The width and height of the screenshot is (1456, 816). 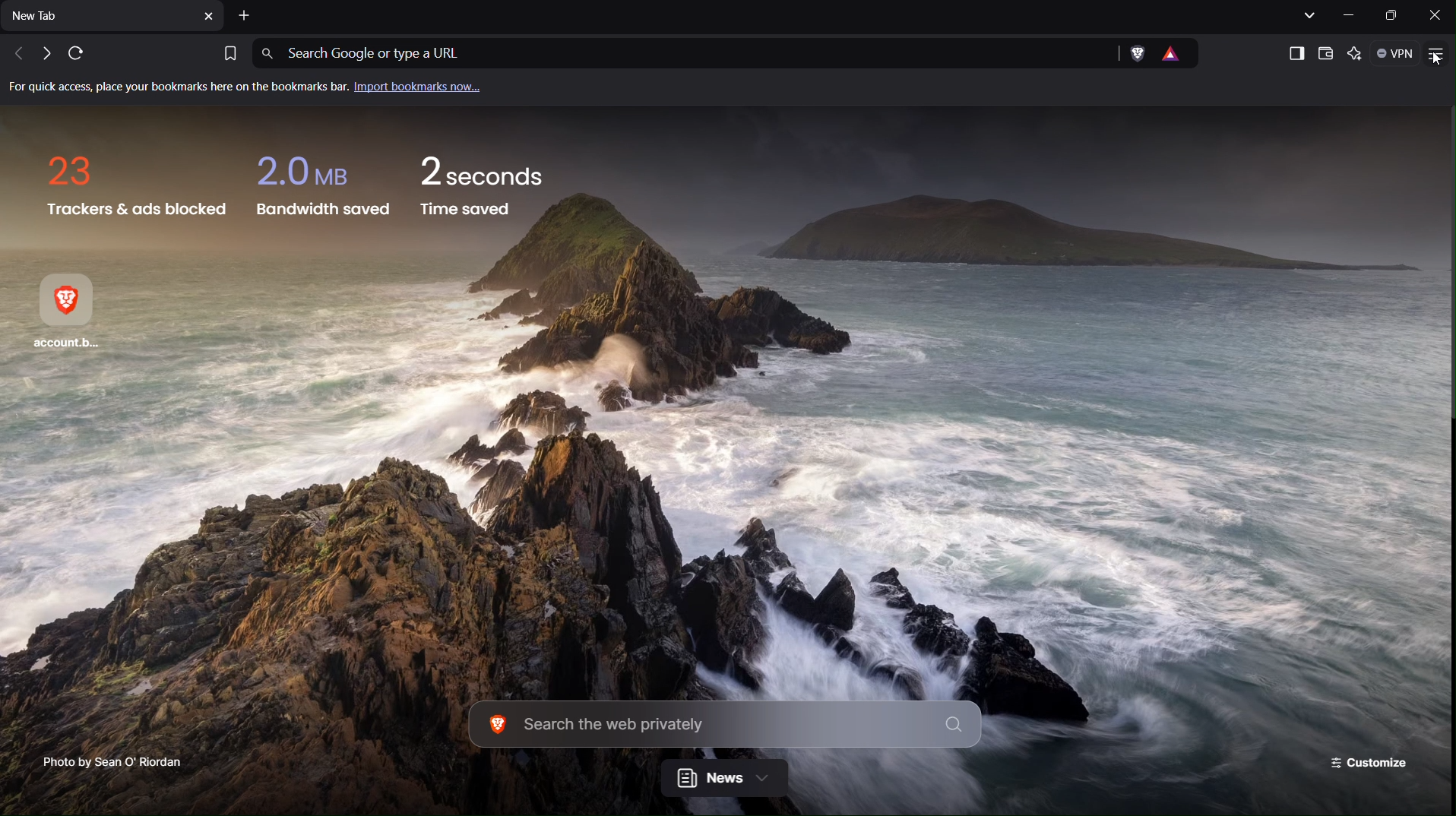 I want to click on Next, so click(x=43, y=55).